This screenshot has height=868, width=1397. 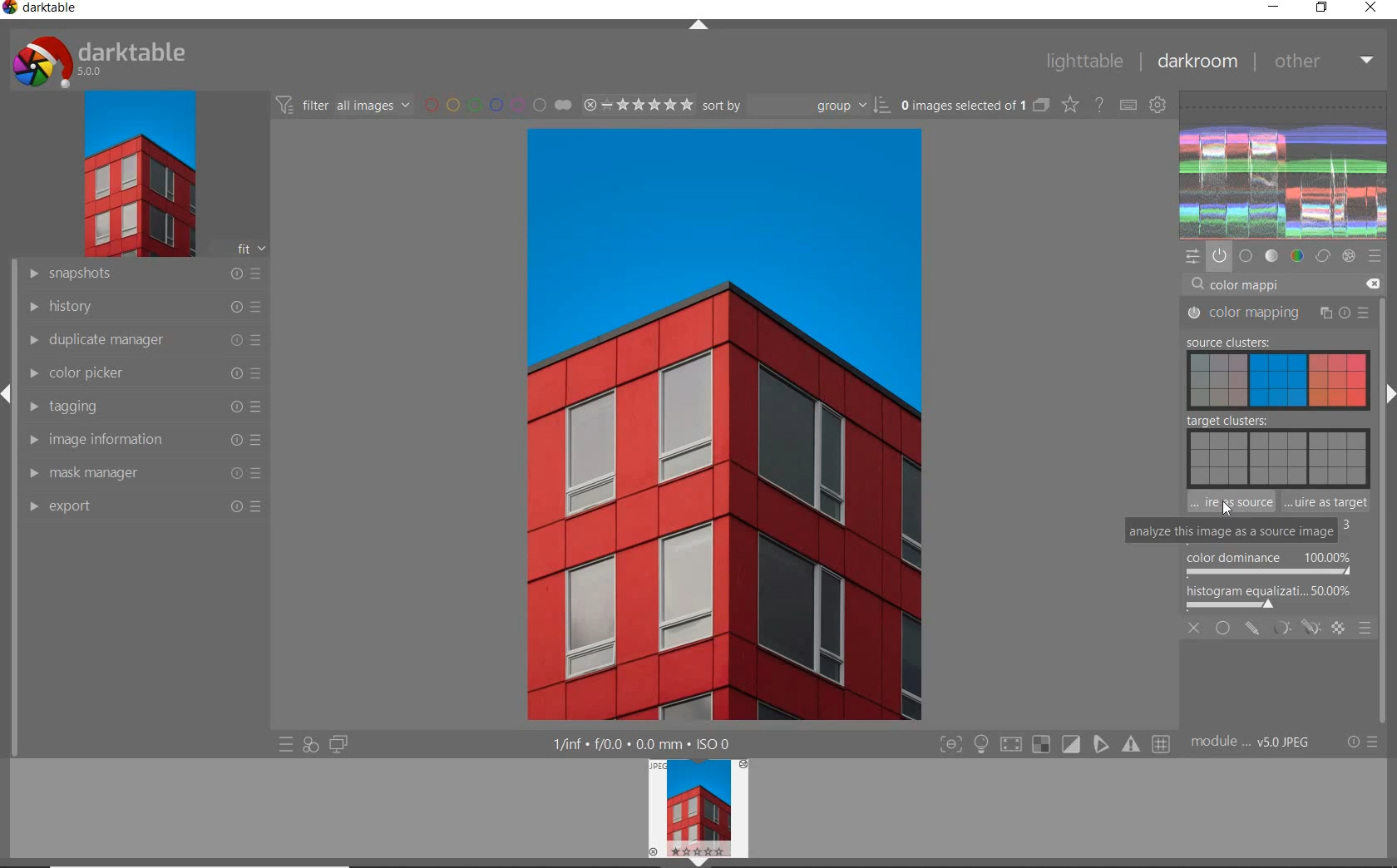 What do you see at coordinates (1223, 629) in the screenshot?
I see `UNIFORMLY` at bounding box center [1223, 629].